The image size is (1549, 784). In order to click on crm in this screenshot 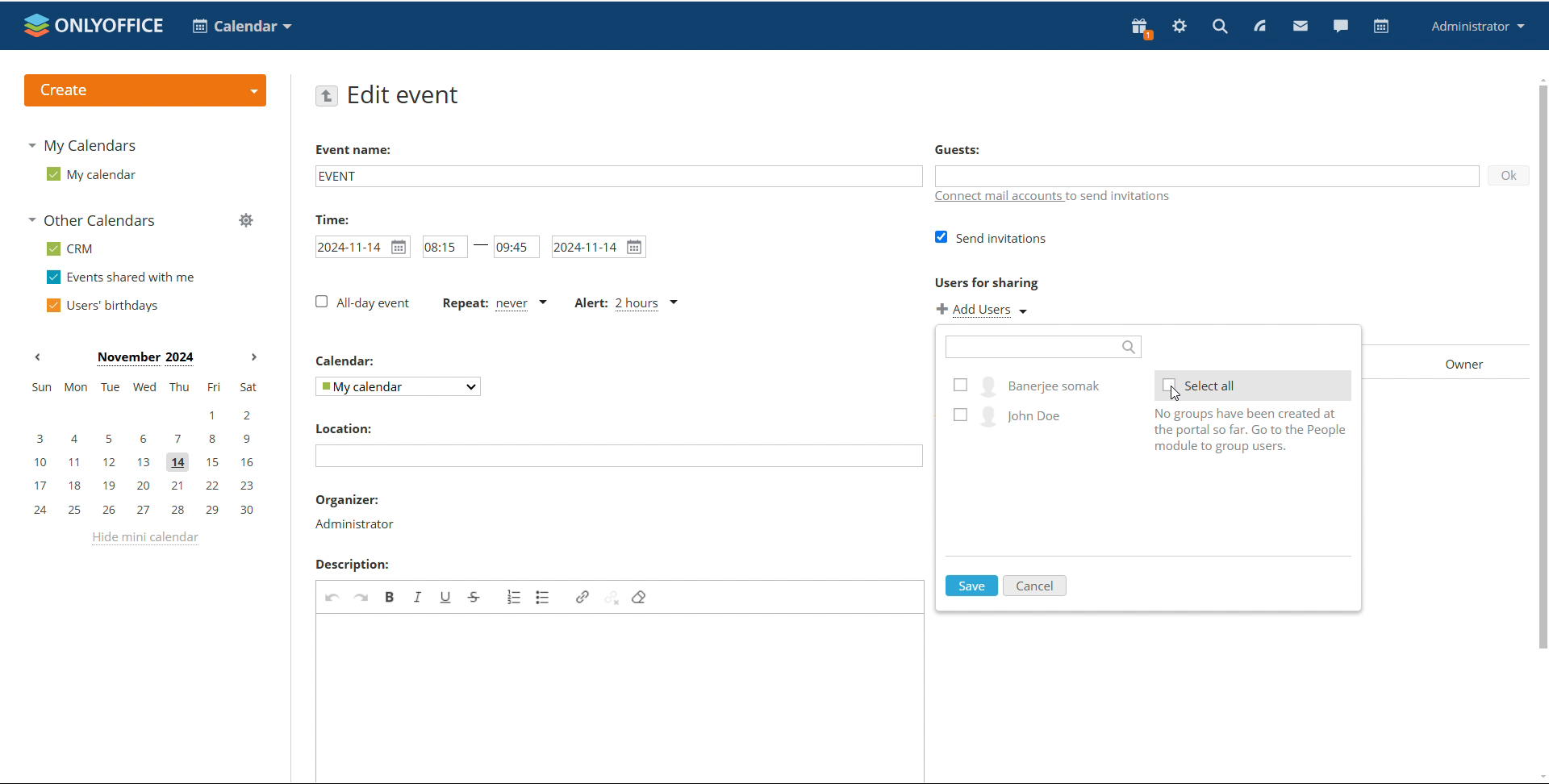, I will do `click(70, 250)`.